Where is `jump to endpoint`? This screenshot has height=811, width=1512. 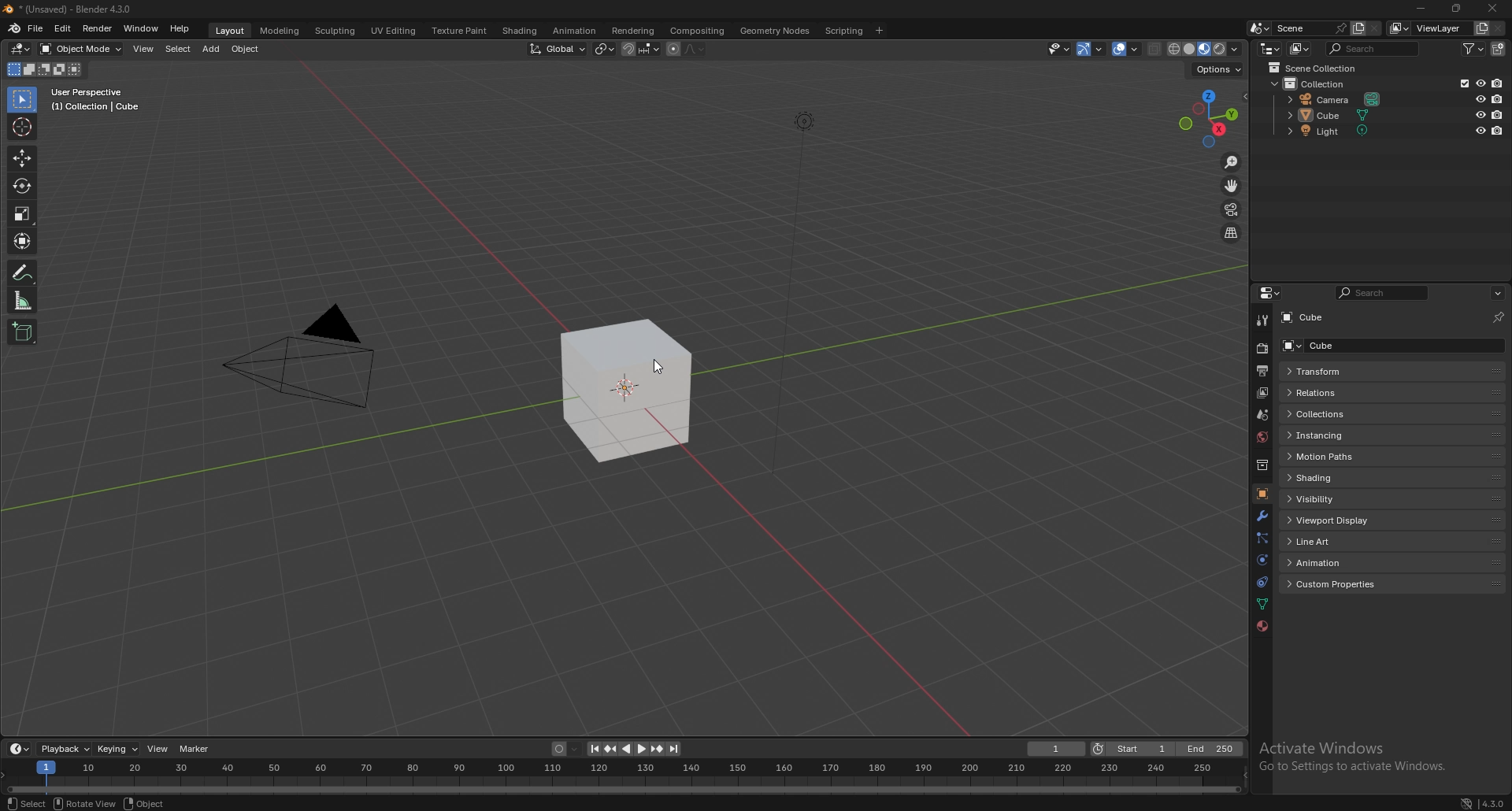 jump to endpoint is located at coordinates (676, 749).